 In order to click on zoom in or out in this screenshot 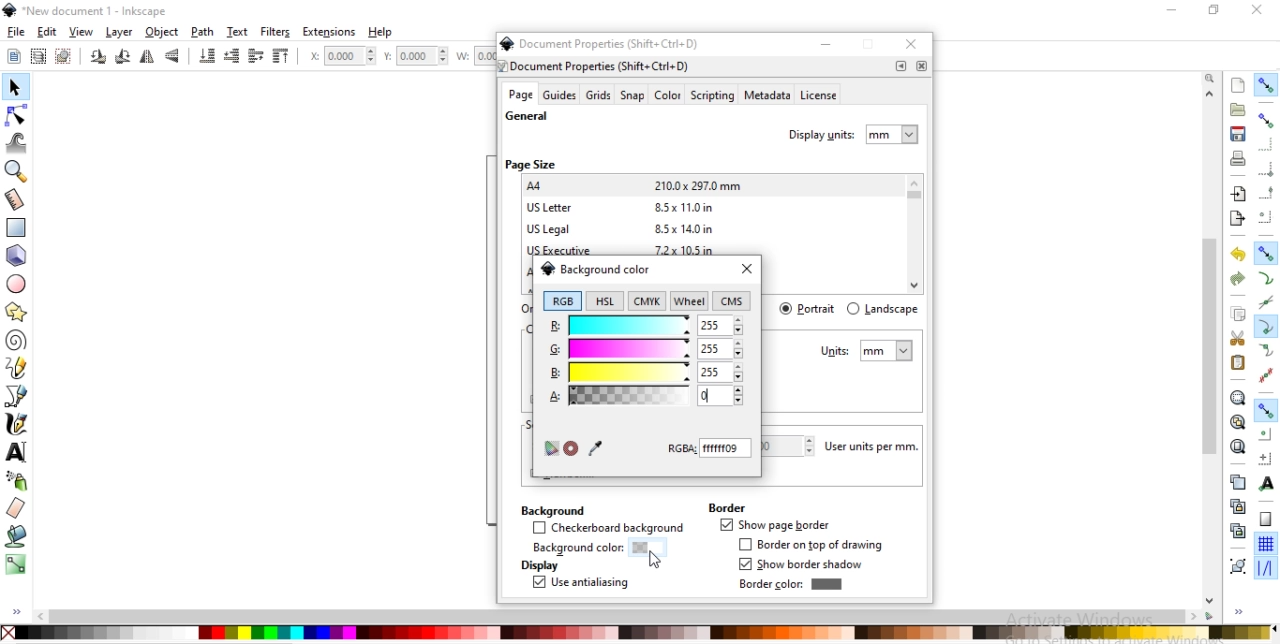, I will do `click(18, 171)`.